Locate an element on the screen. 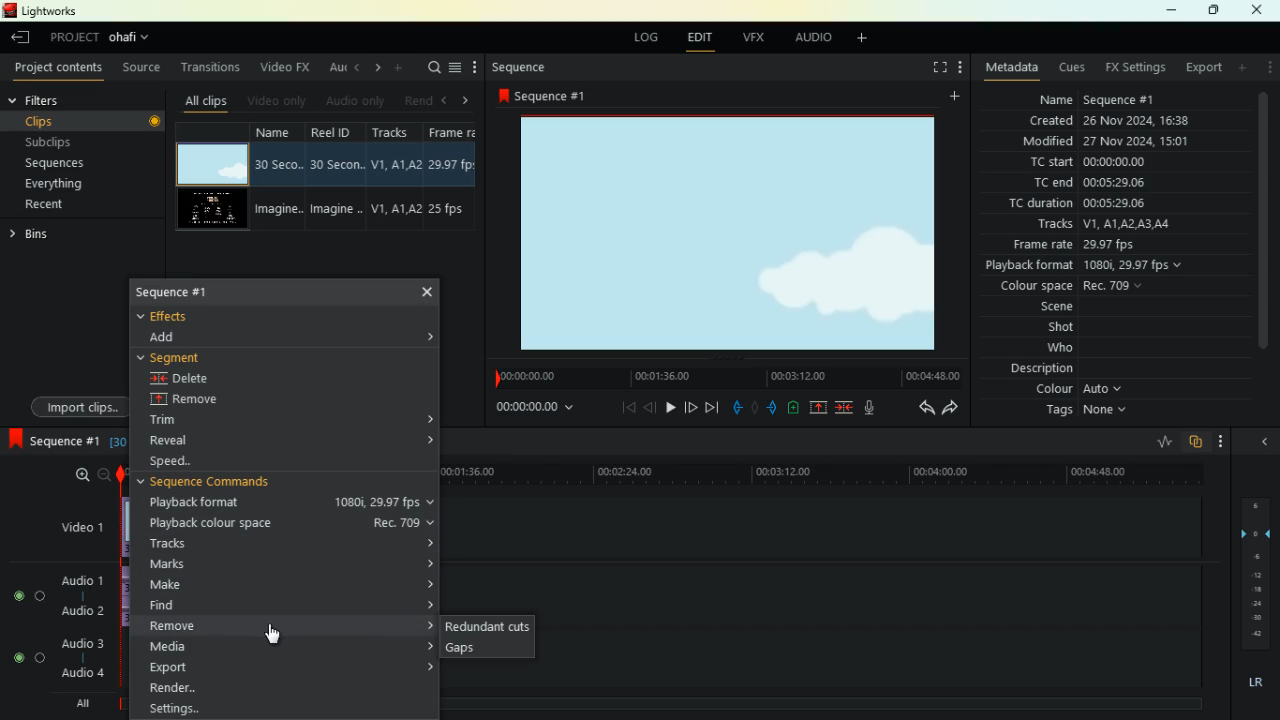  colour Auto is located at coordinates (1079, 390).